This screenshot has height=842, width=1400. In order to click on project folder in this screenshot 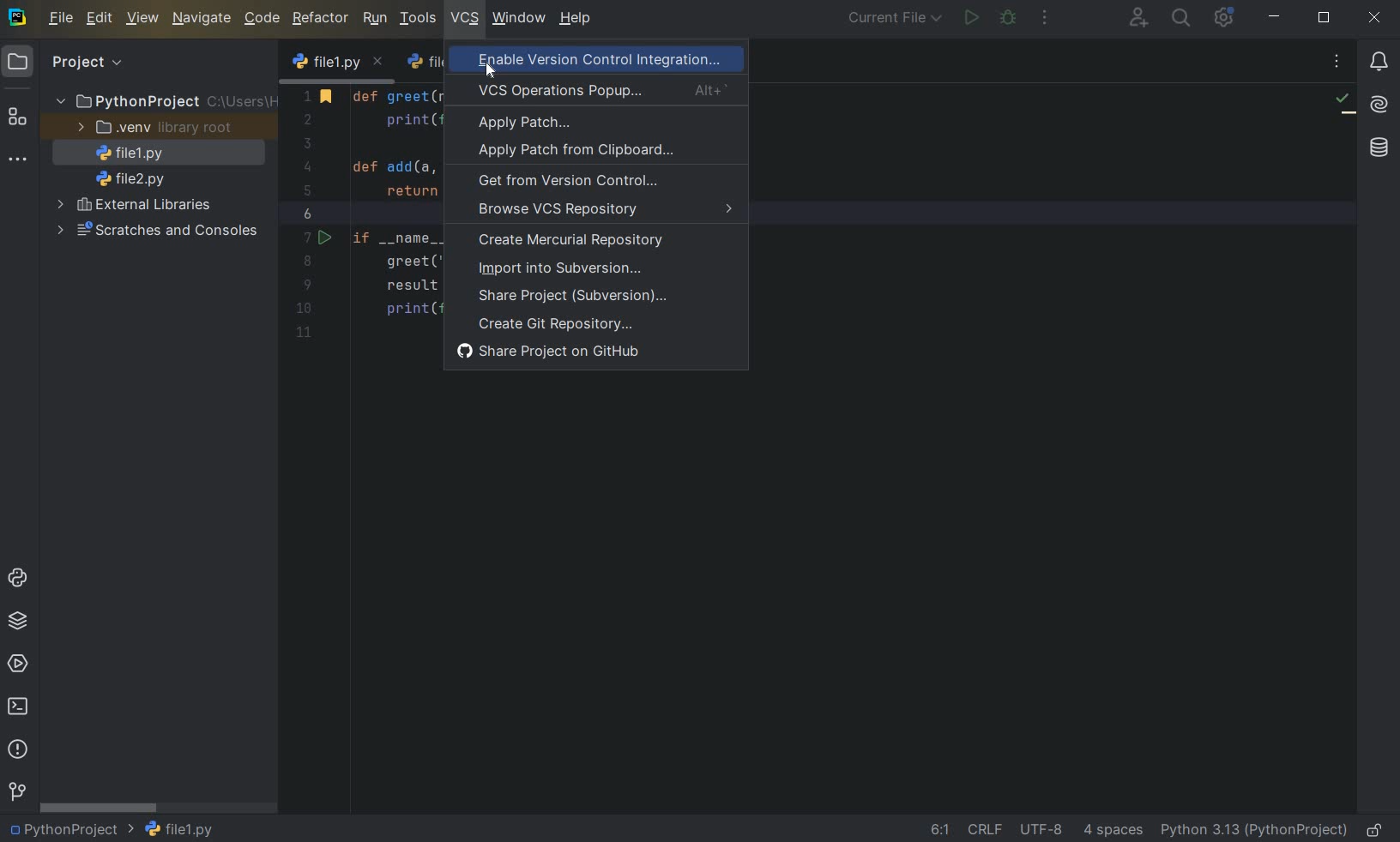, I will do `click(164, 101)`.